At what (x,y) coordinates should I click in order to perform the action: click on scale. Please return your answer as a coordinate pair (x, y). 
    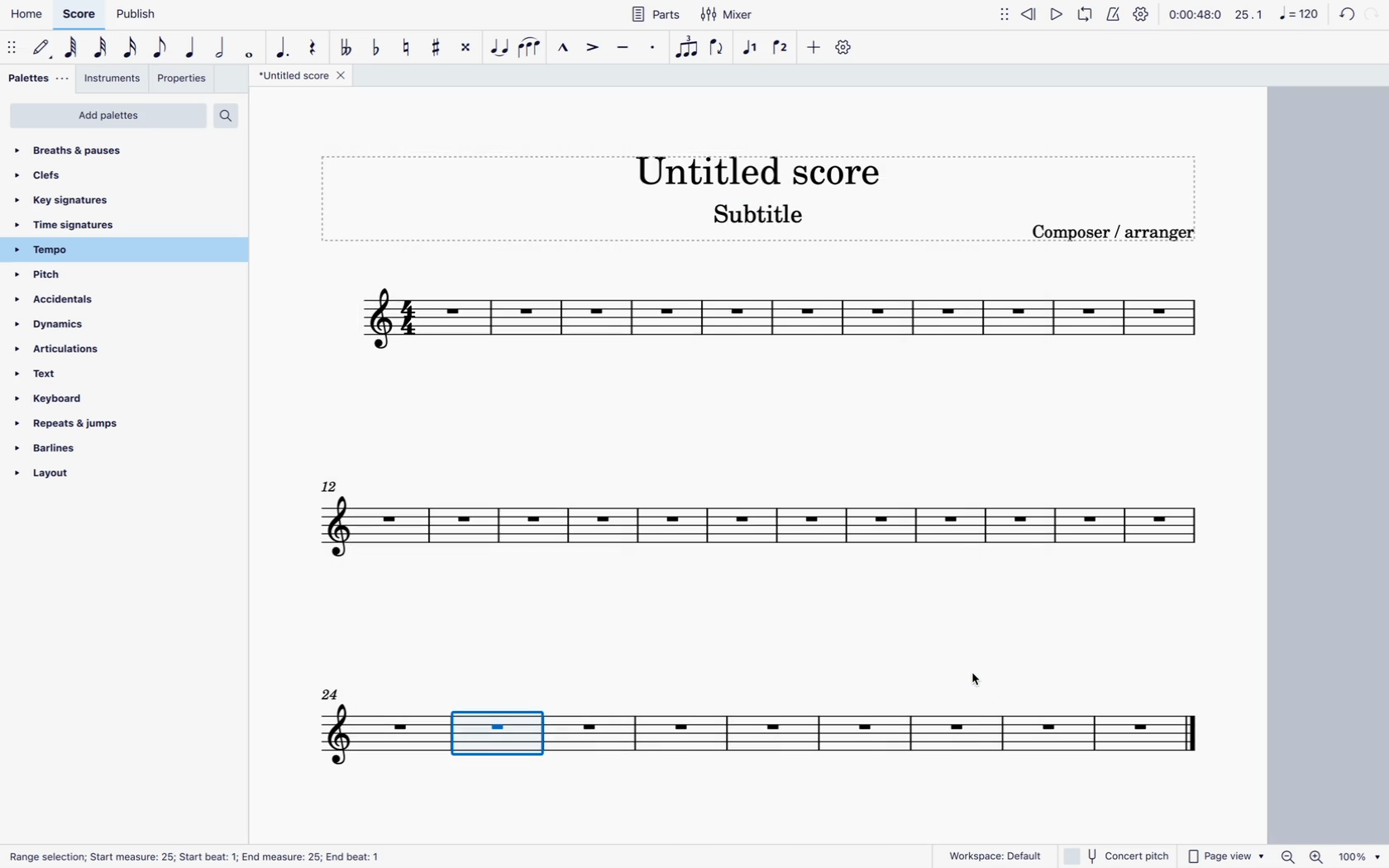
    Looking at the image, I should click on (1277, 14).